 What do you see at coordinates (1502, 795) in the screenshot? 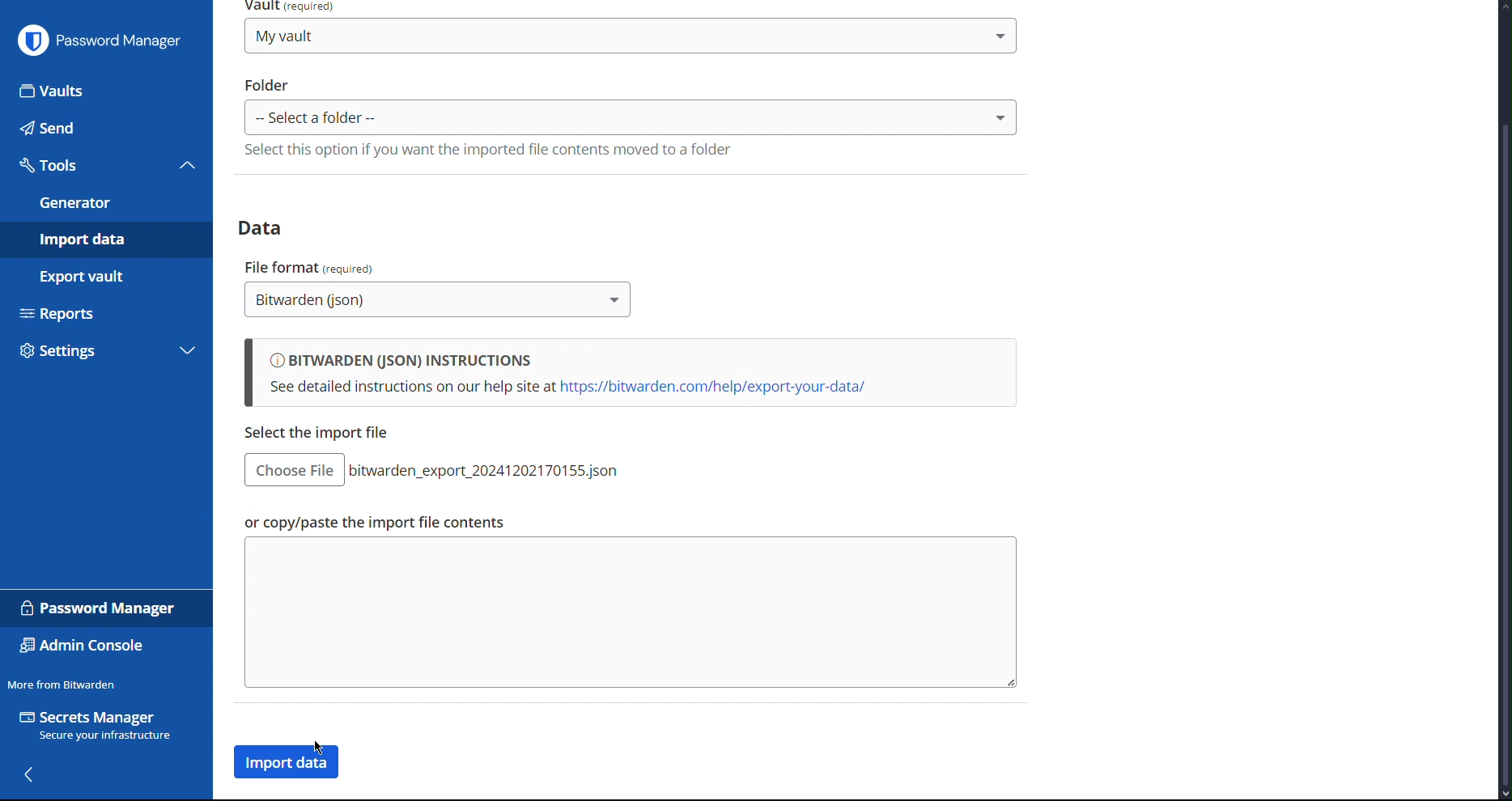
I see `scroll down` at bounding box center [1502, 795].